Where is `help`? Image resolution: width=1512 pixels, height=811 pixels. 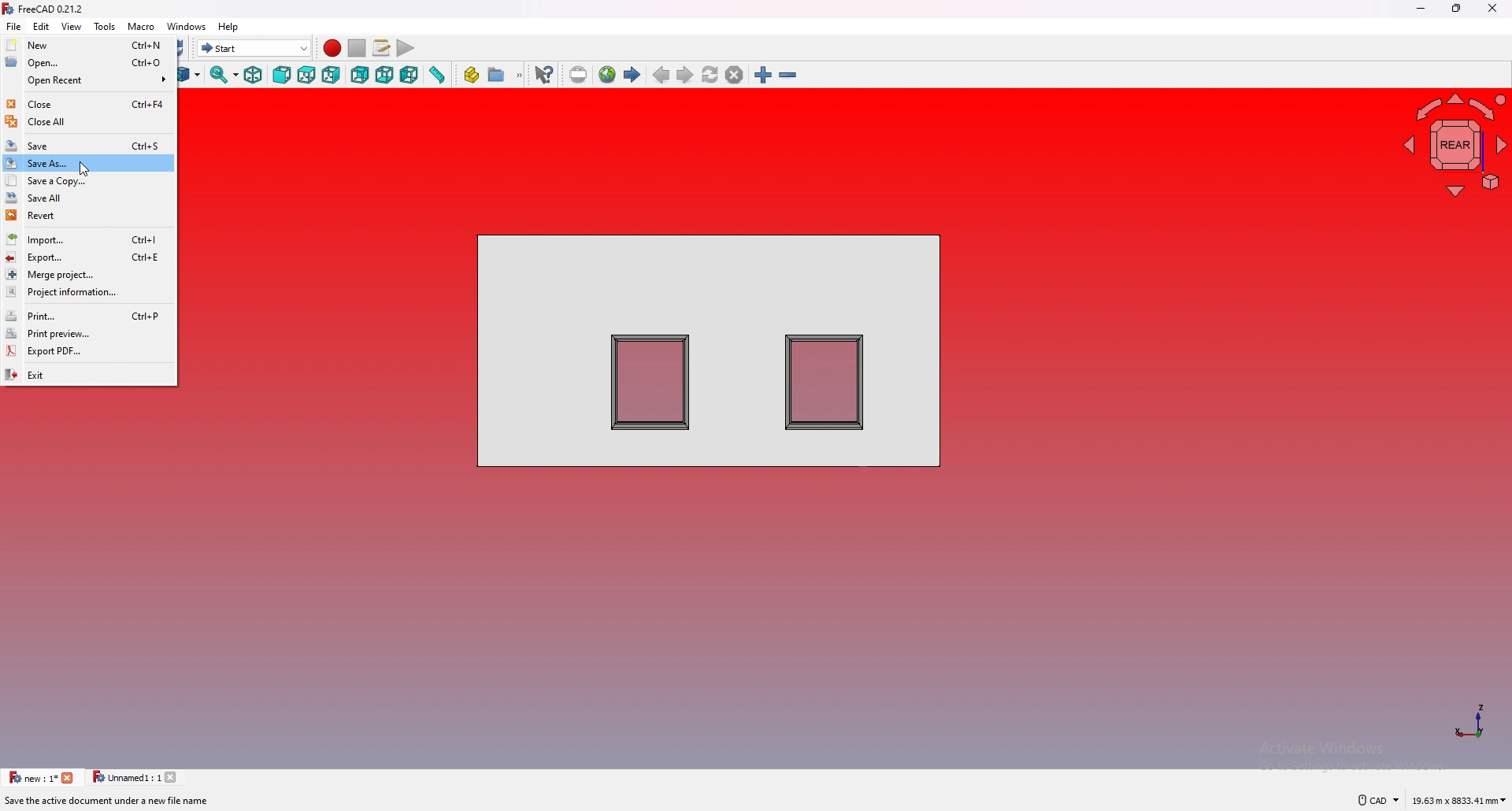 help is located at coordinates (228, 27).